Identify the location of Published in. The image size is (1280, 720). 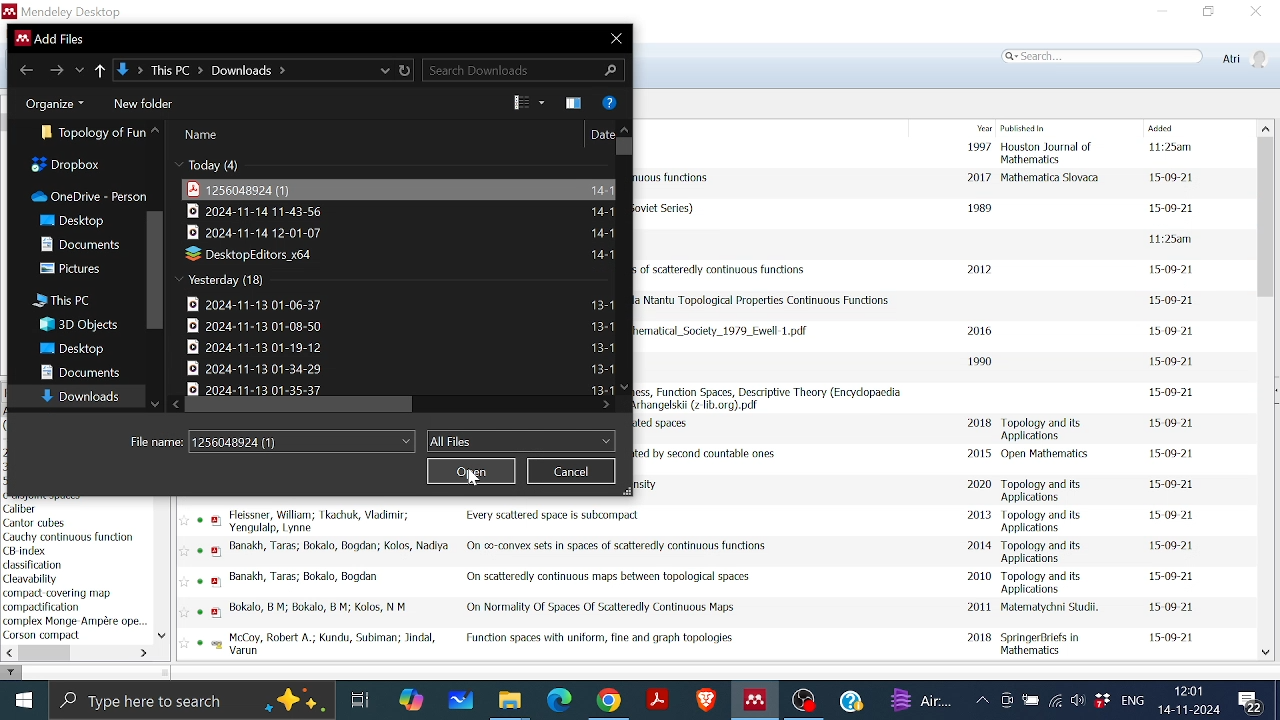
(1045, 551).